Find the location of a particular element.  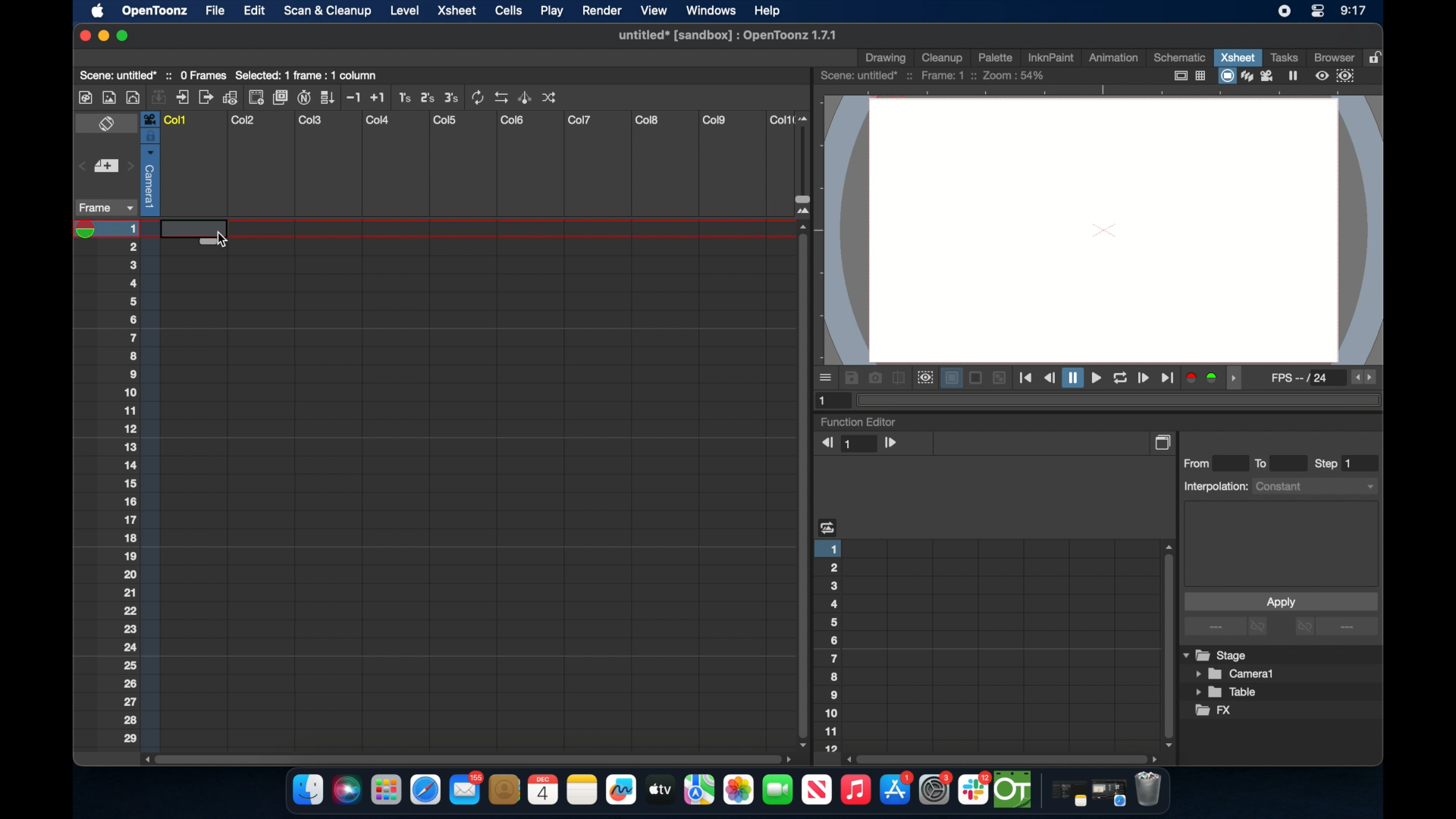

playhead is located at coordinates (90, 230).